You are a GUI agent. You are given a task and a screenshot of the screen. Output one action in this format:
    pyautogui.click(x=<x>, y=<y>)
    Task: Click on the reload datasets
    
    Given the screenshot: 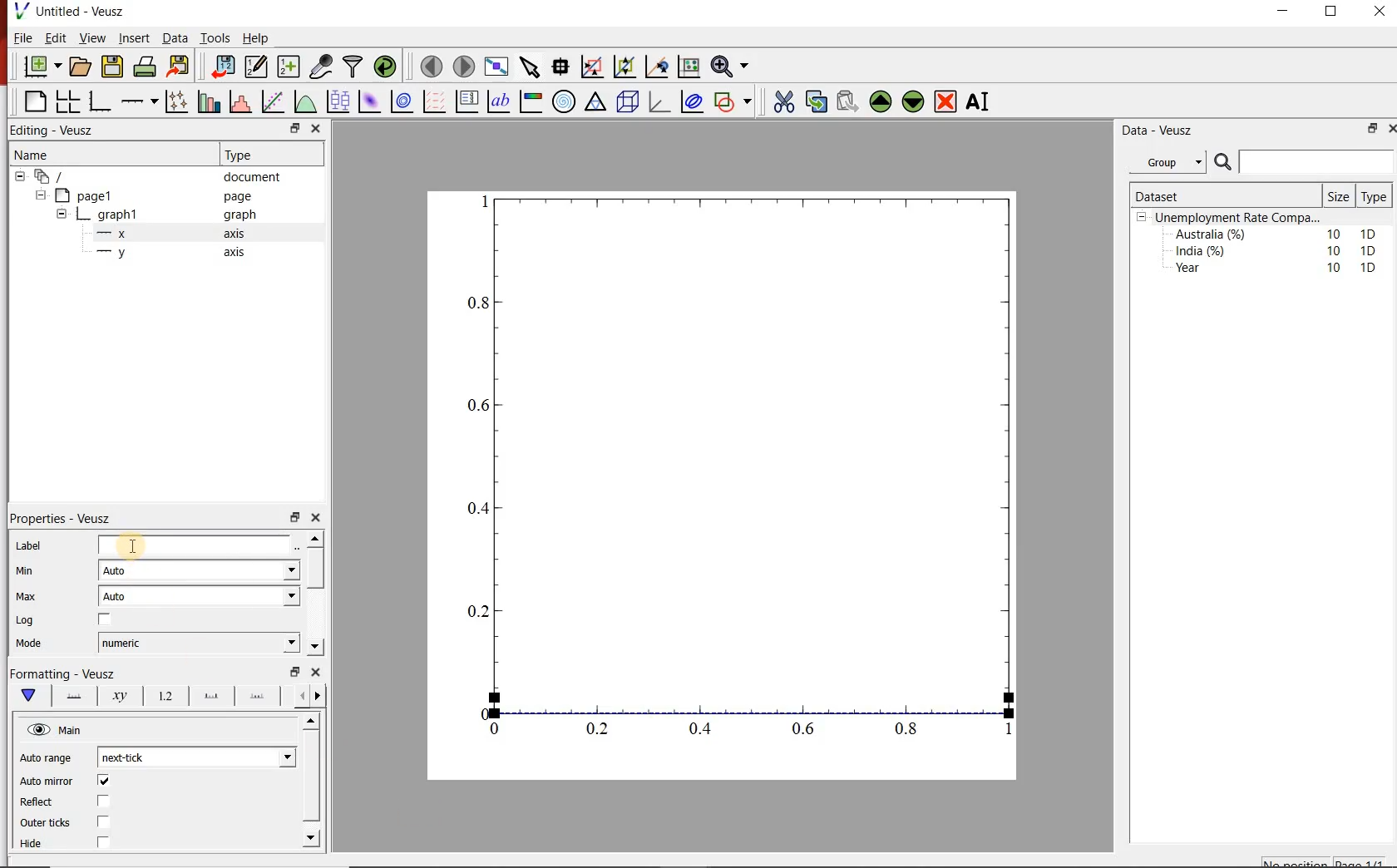 What is the action you would take?
    pyautogui.click(x=386, y=66)
    